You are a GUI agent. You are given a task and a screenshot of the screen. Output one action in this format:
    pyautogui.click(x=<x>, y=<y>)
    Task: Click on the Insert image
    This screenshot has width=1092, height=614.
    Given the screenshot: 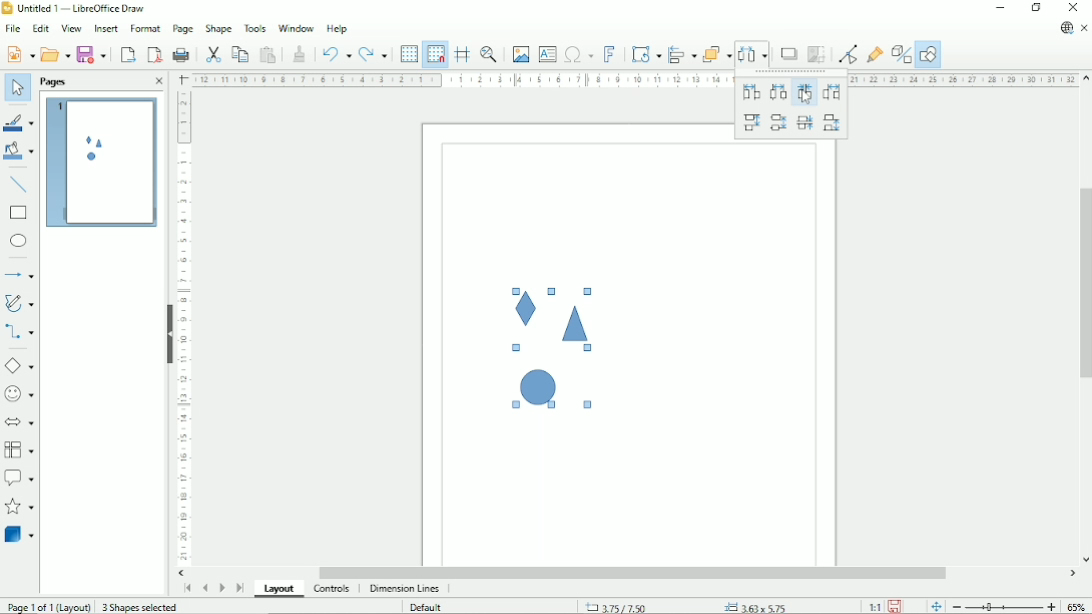 What is the action you would take?
    pyautogui.click(x=521, y=55)
    